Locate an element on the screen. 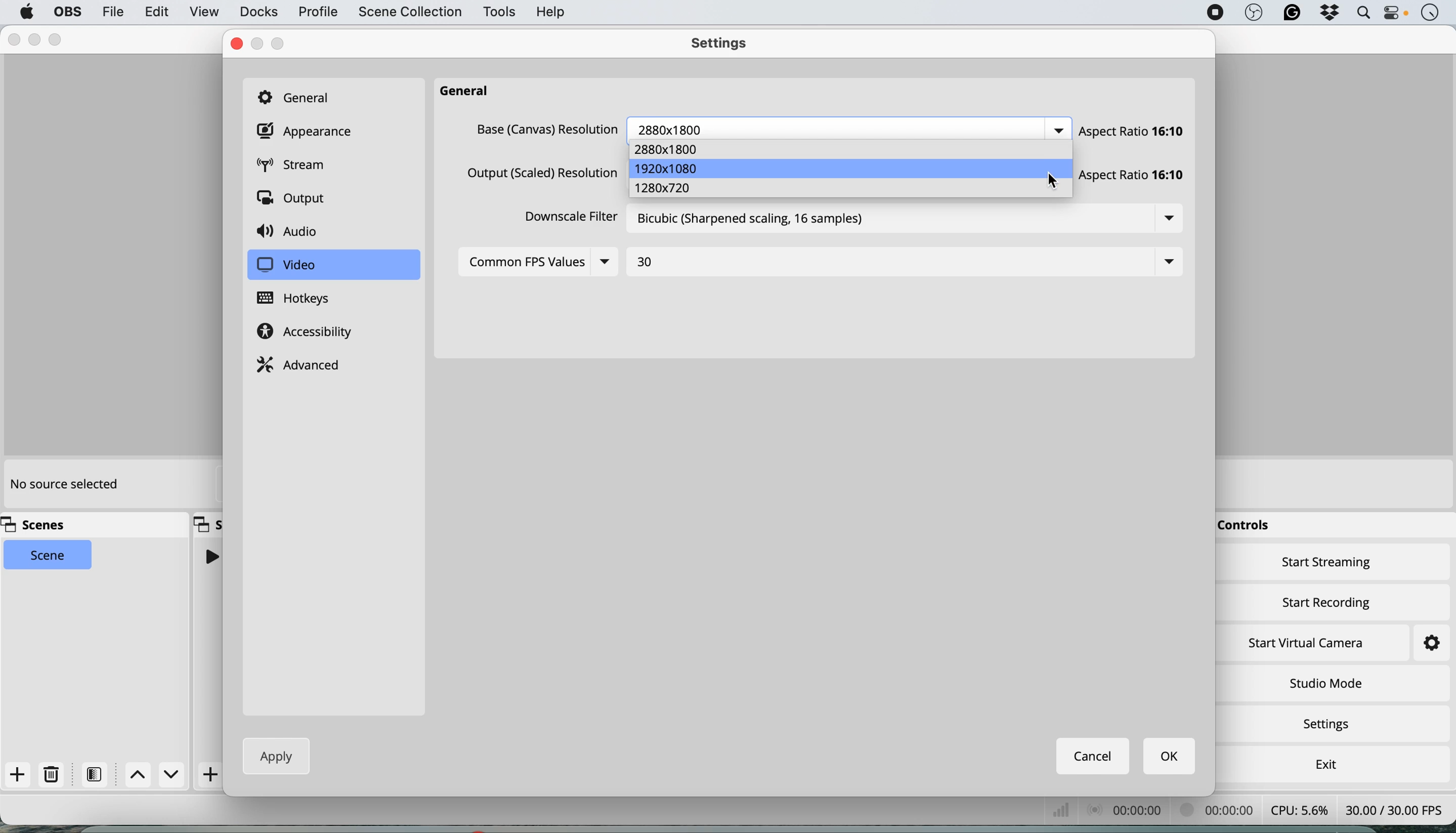  filters is located at coordinates (98, 774).